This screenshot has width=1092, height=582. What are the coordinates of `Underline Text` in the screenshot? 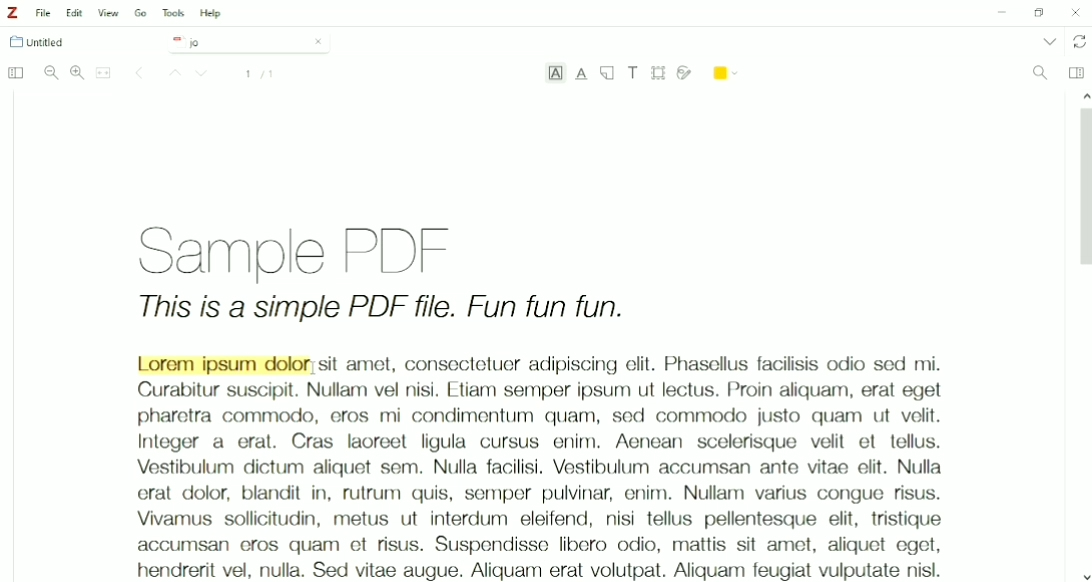 It's located at (582, 74).